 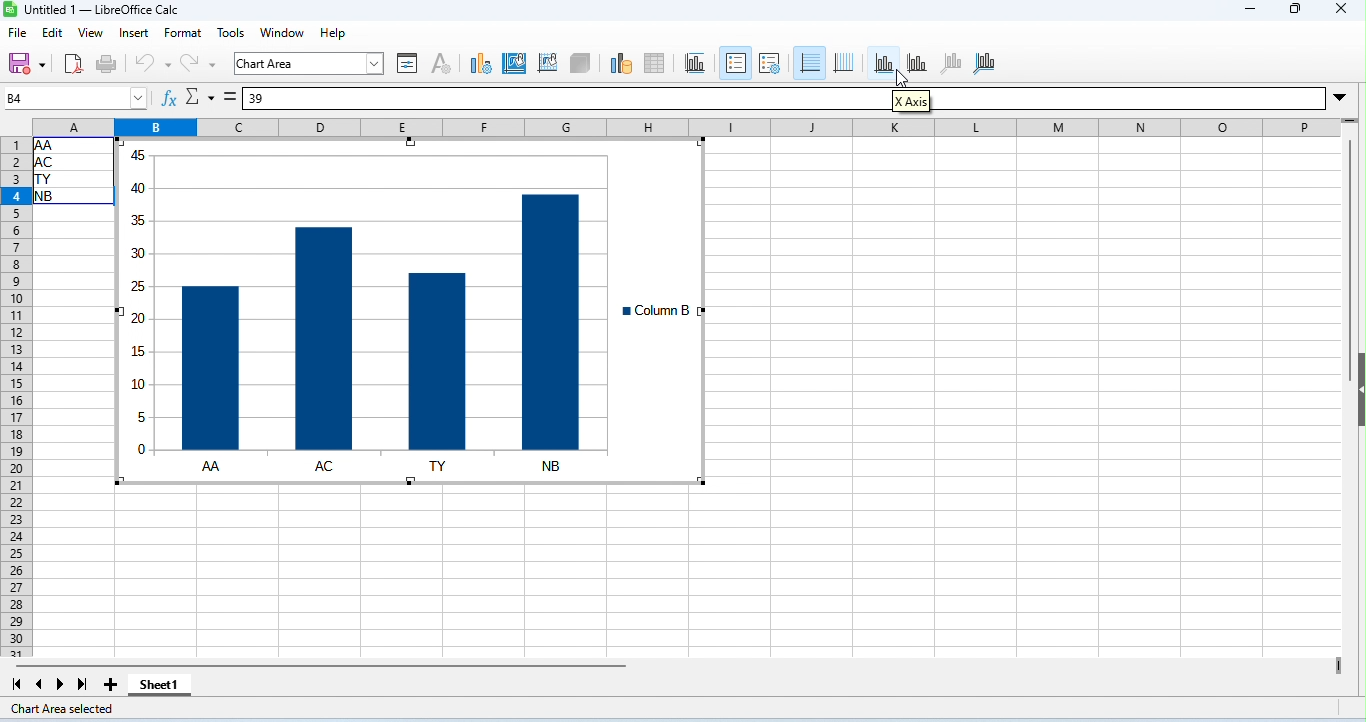 What do you see at coordinates (231, 32) in the screenshot?
I see `tools` at bounding box center [231, 32].